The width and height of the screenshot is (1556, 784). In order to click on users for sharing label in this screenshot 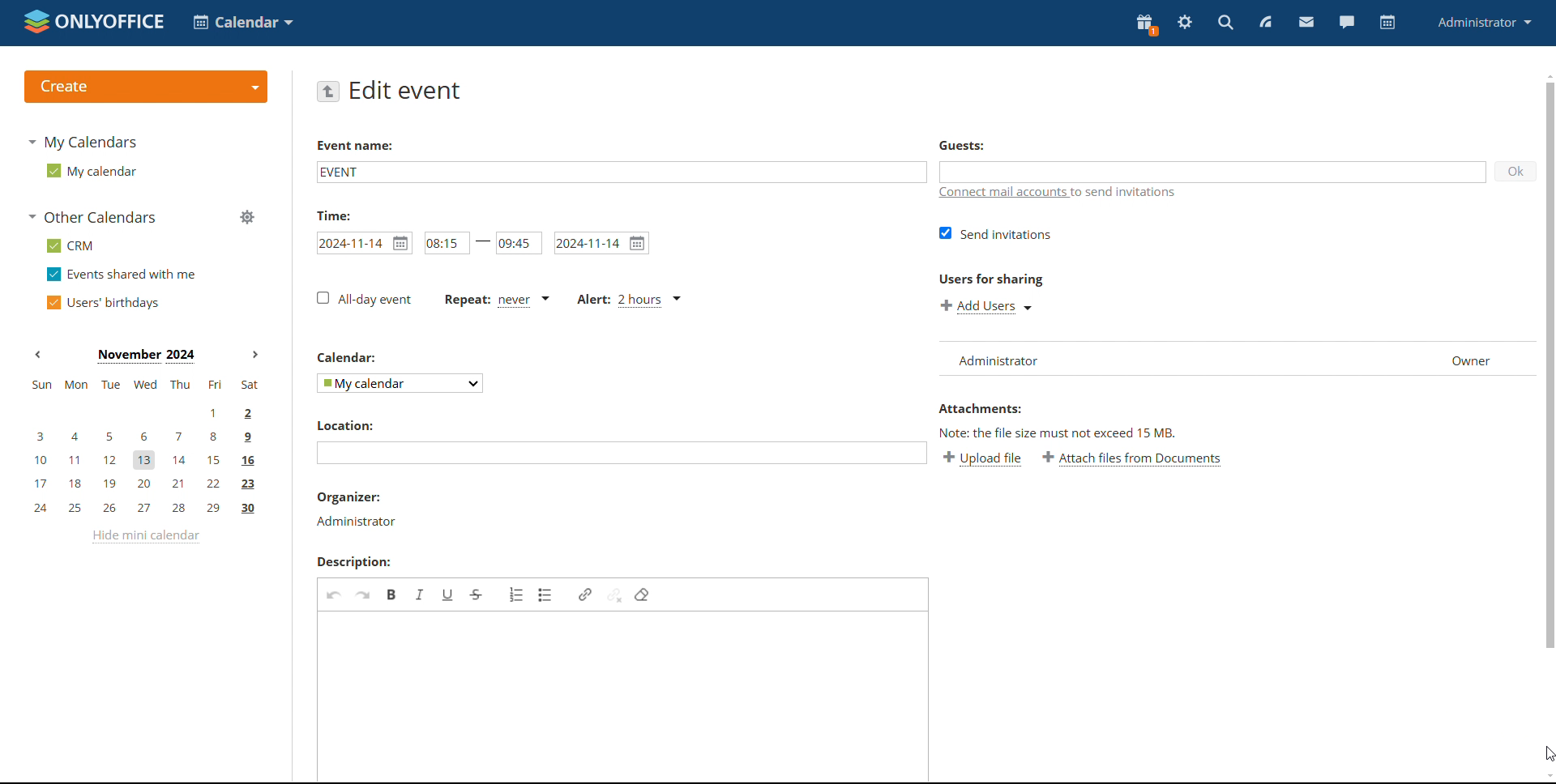, I will do `click(995, 280)`.